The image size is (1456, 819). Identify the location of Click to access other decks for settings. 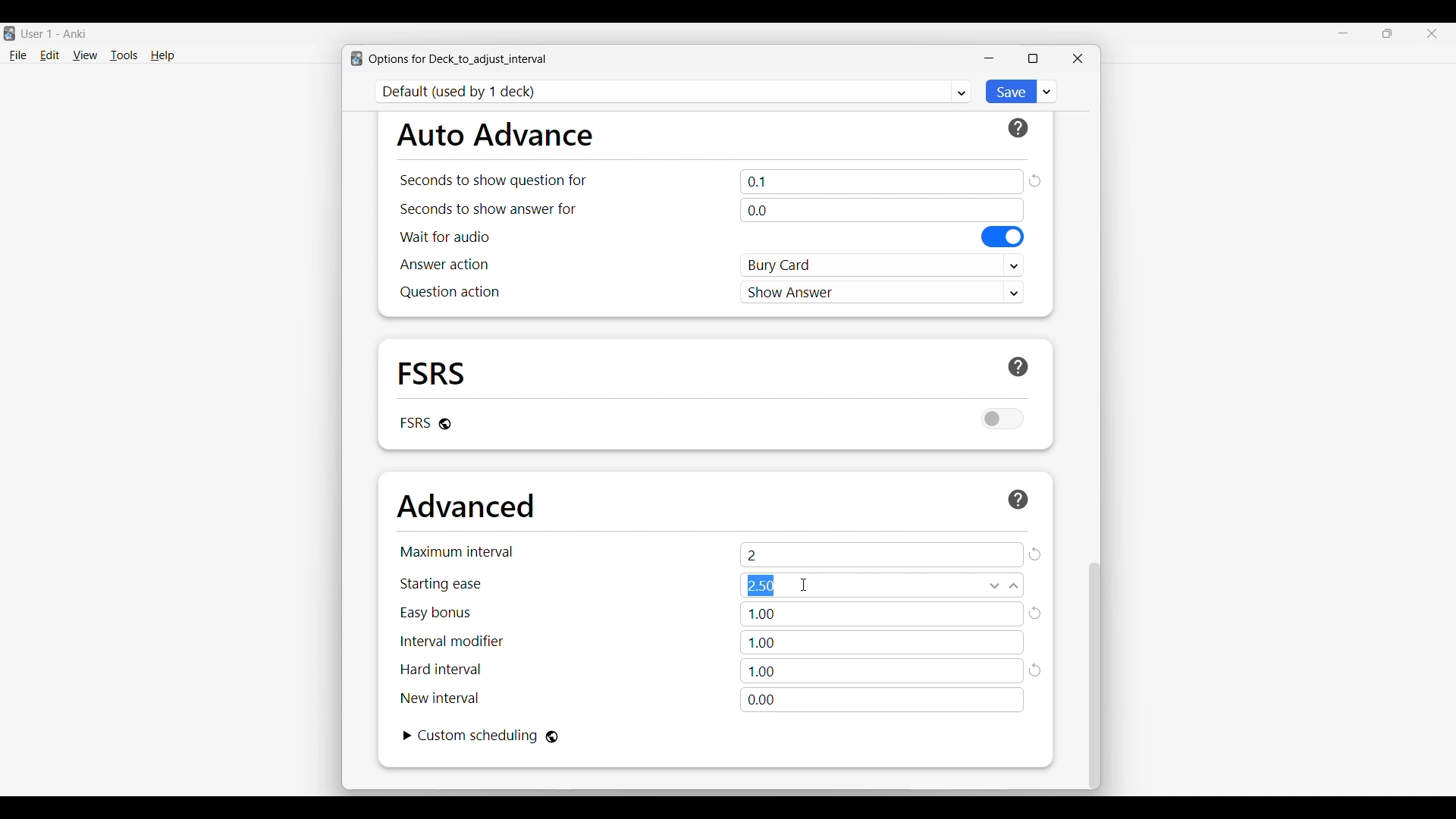
(674, 92).